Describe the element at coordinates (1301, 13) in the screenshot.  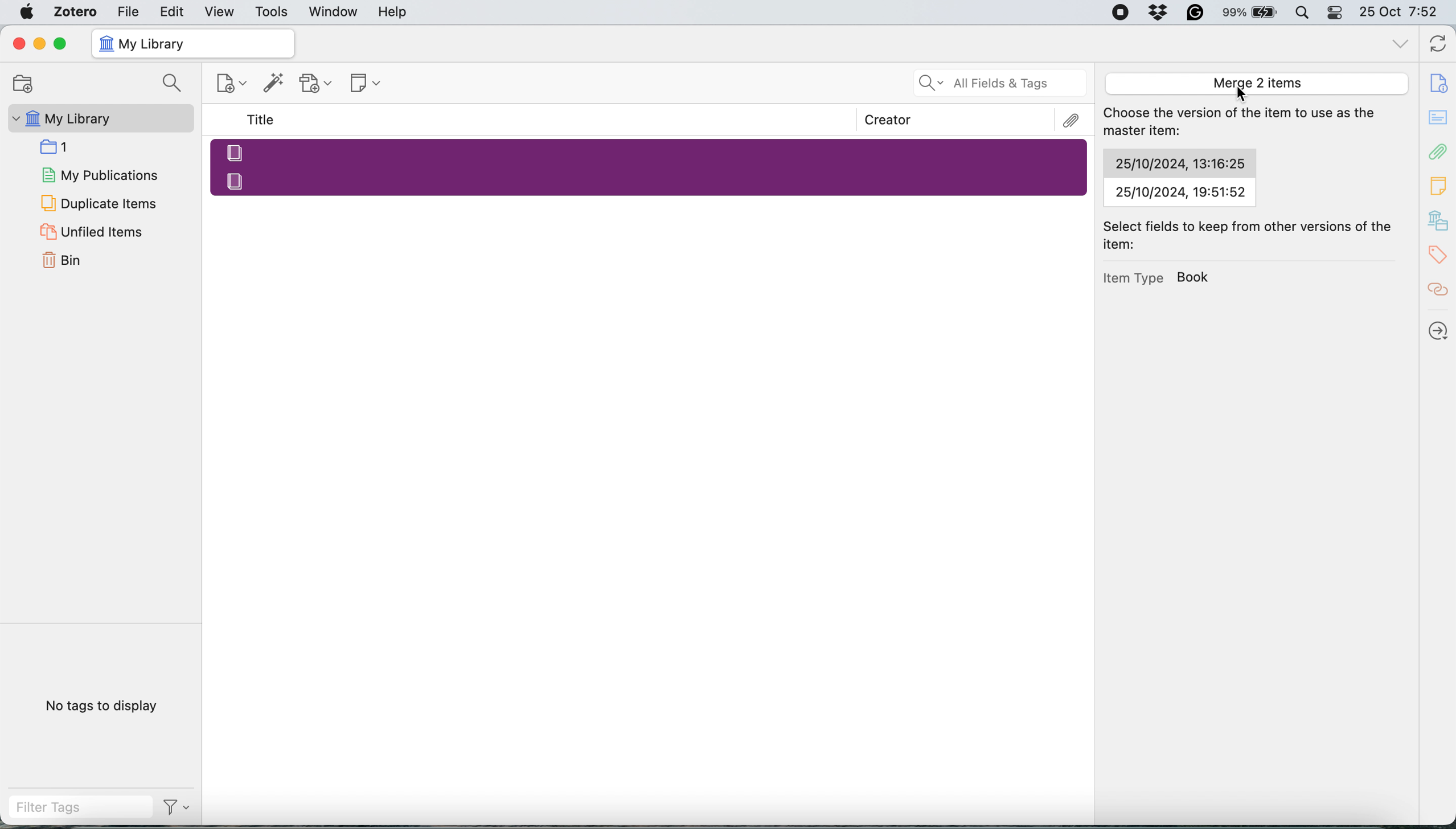
I see `Spotlight Search` at that location.